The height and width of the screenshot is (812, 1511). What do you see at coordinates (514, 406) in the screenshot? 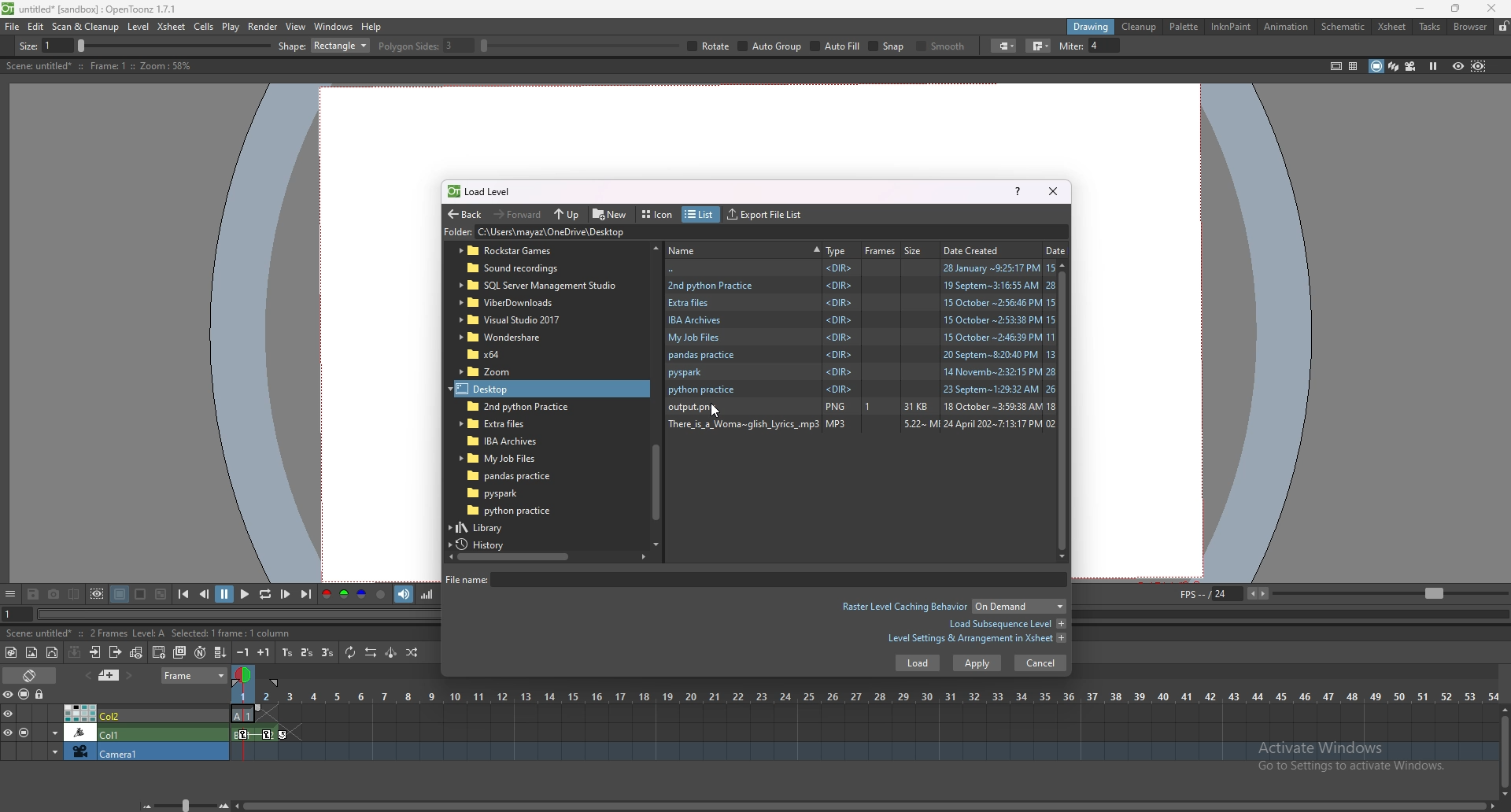
I see `folder` at bounding box center [514, 406].